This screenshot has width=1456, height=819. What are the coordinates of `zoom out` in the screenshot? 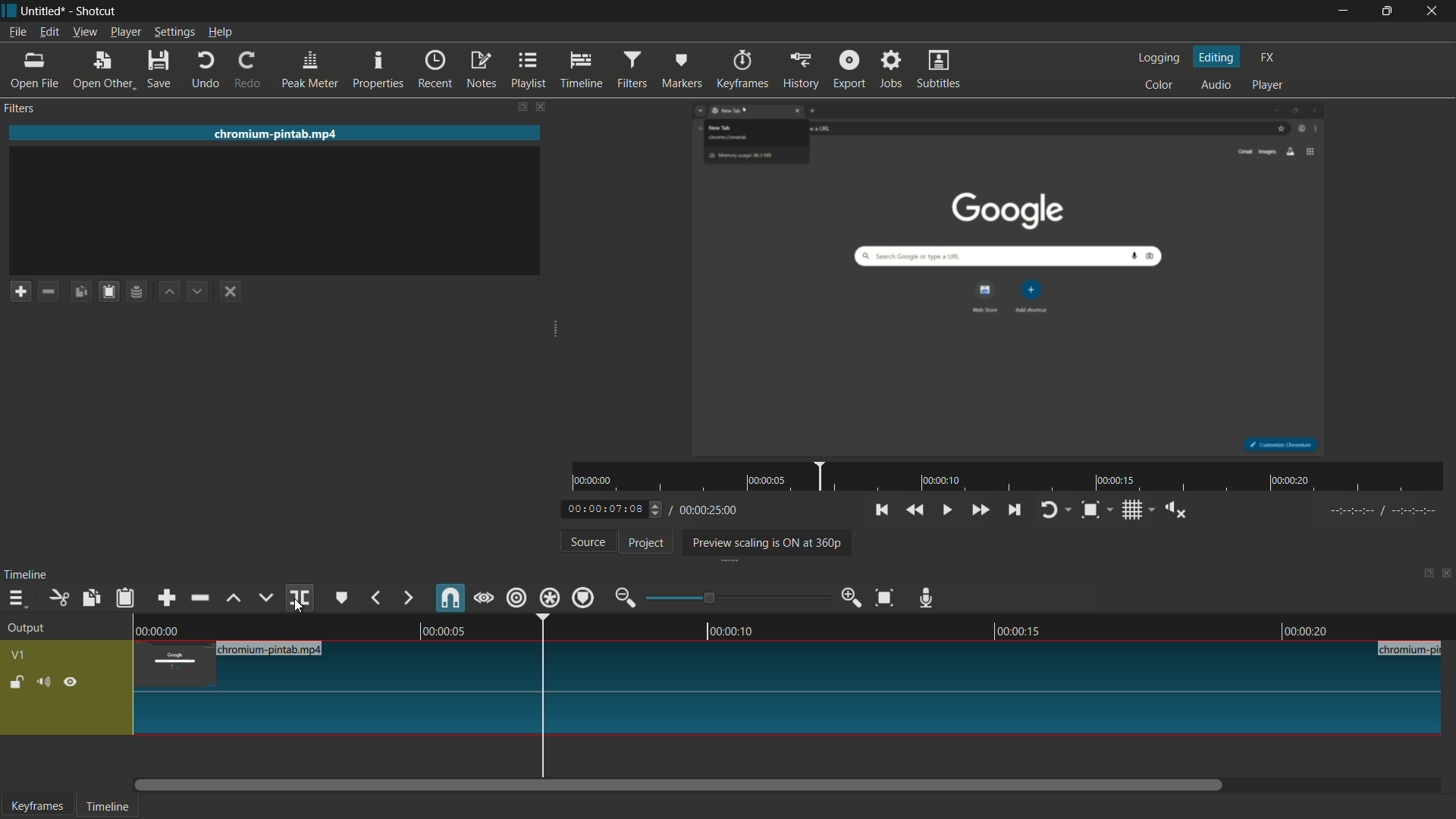 It's located at (625, 599).